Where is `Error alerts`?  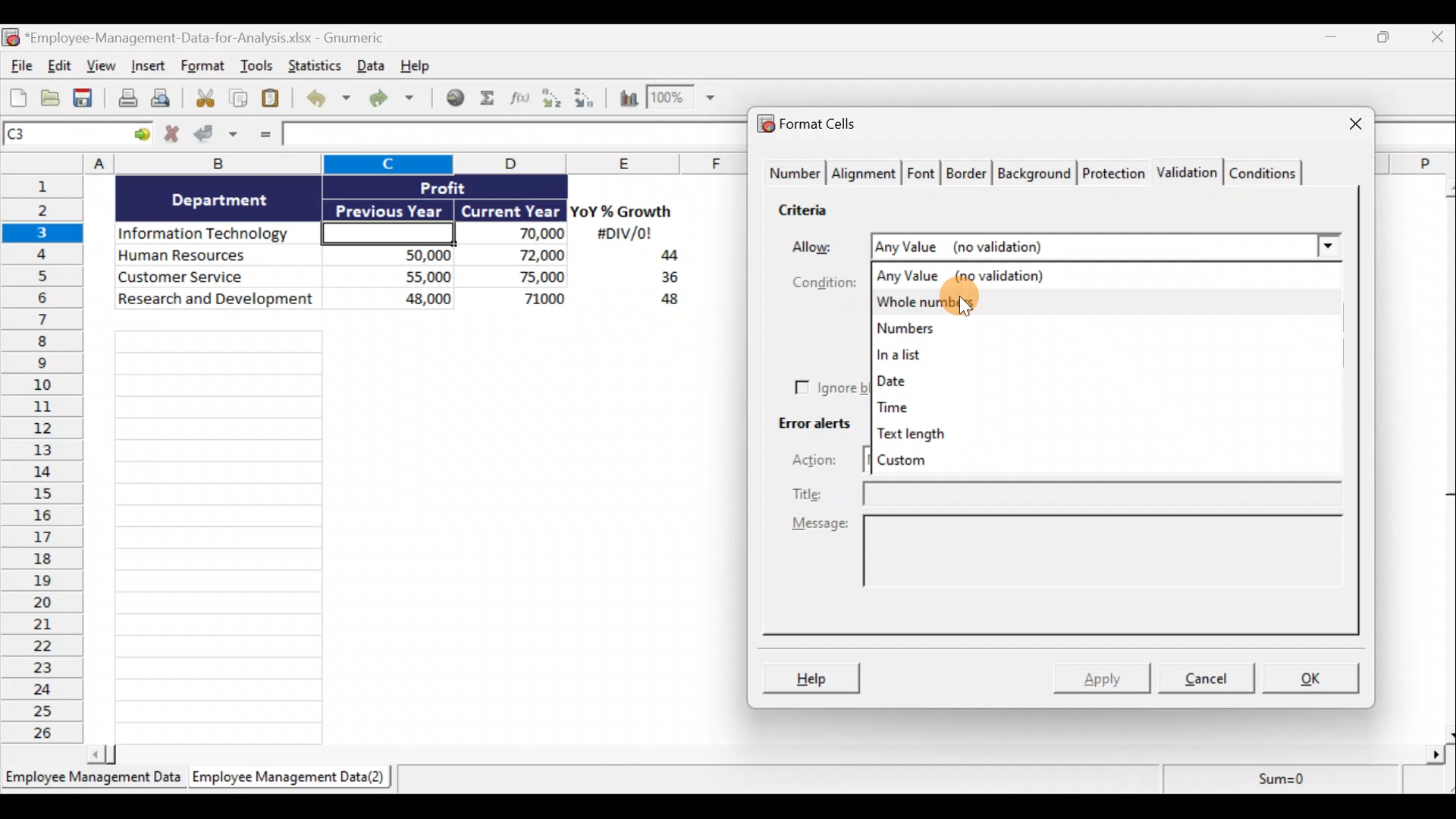 Error alerts is located at coordinates (821, 425).